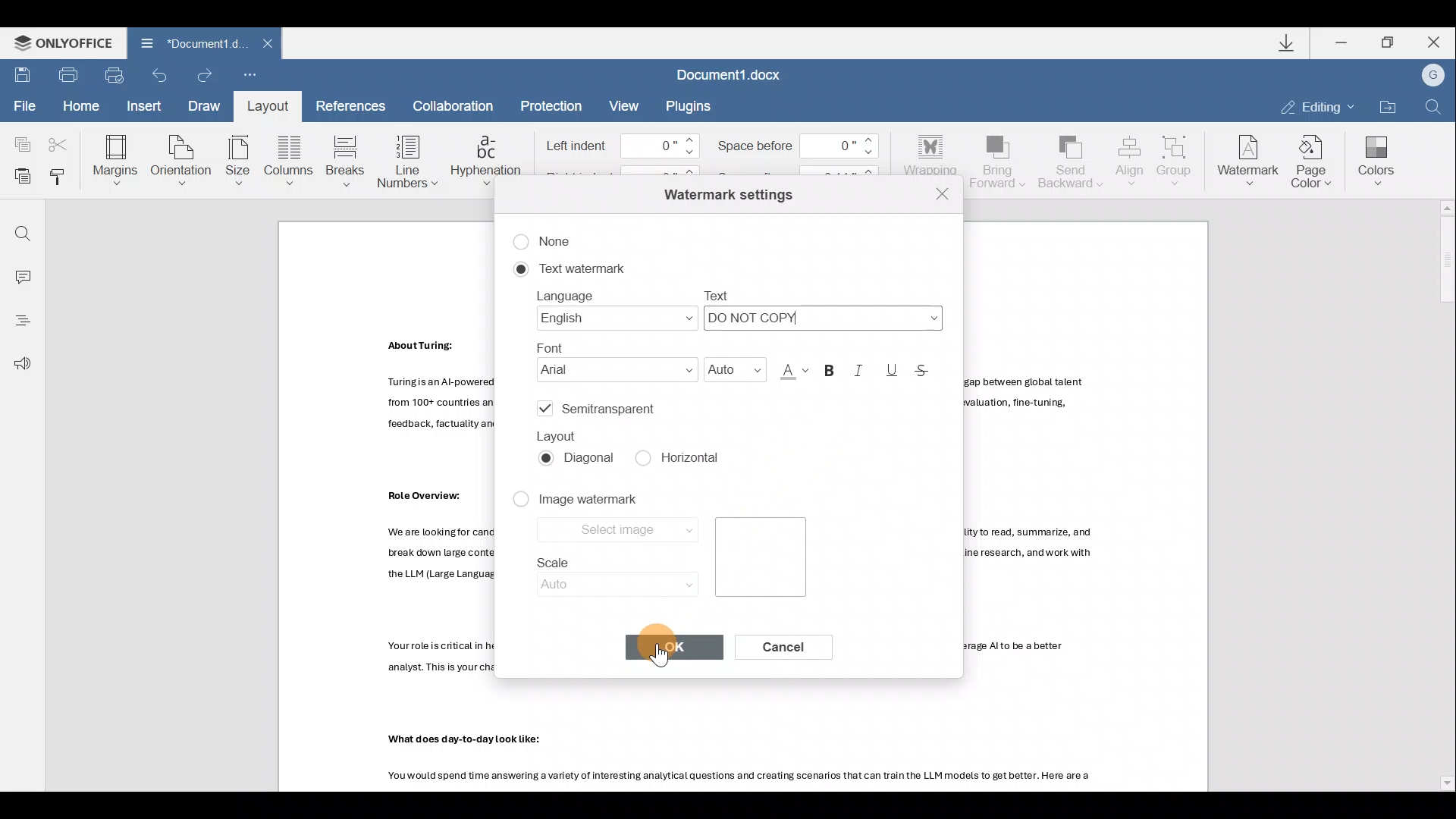 This screenshot has height=819, width=1456. Describe the element at coordinates (346, 157) in the screenshot. I see `Breaks` at that location.